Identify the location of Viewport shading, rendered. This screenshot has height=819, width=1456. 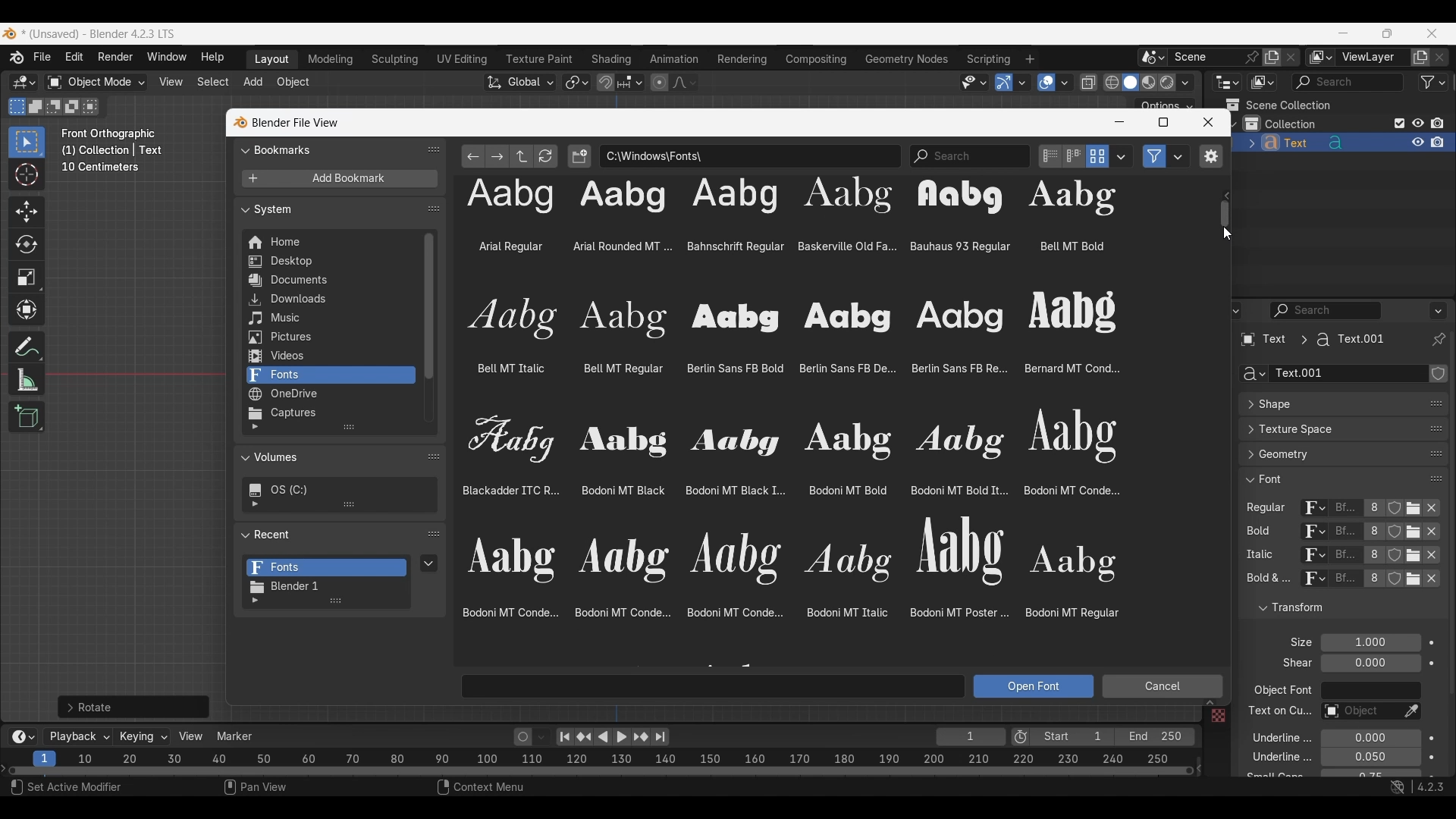
(1166, 82).